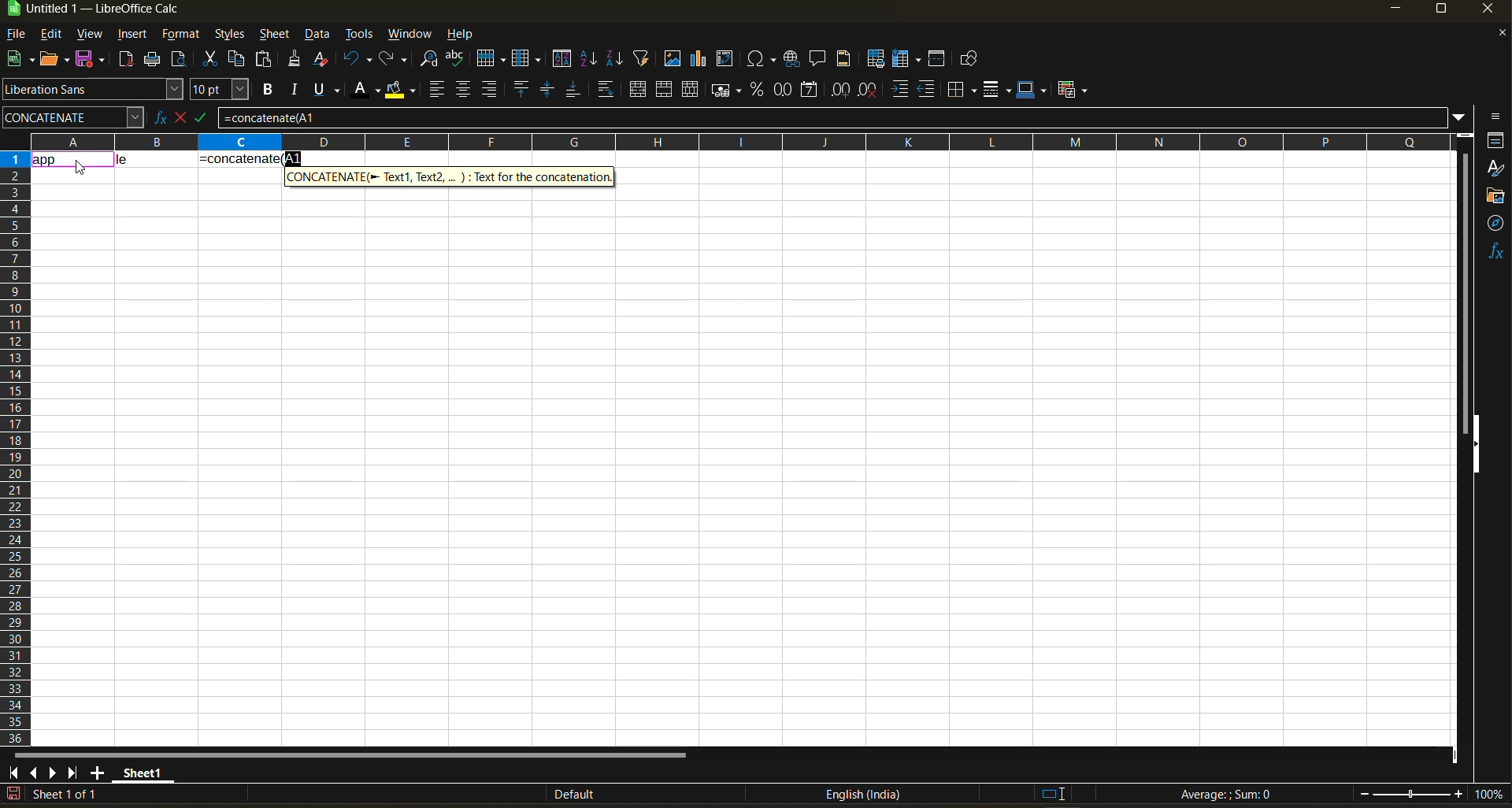 This screenshot has height=808, width=1512. What do you see at coordinates (1492, 795) in the screenshot?
I see `zoom factor` at bounding box center [1492, 795].